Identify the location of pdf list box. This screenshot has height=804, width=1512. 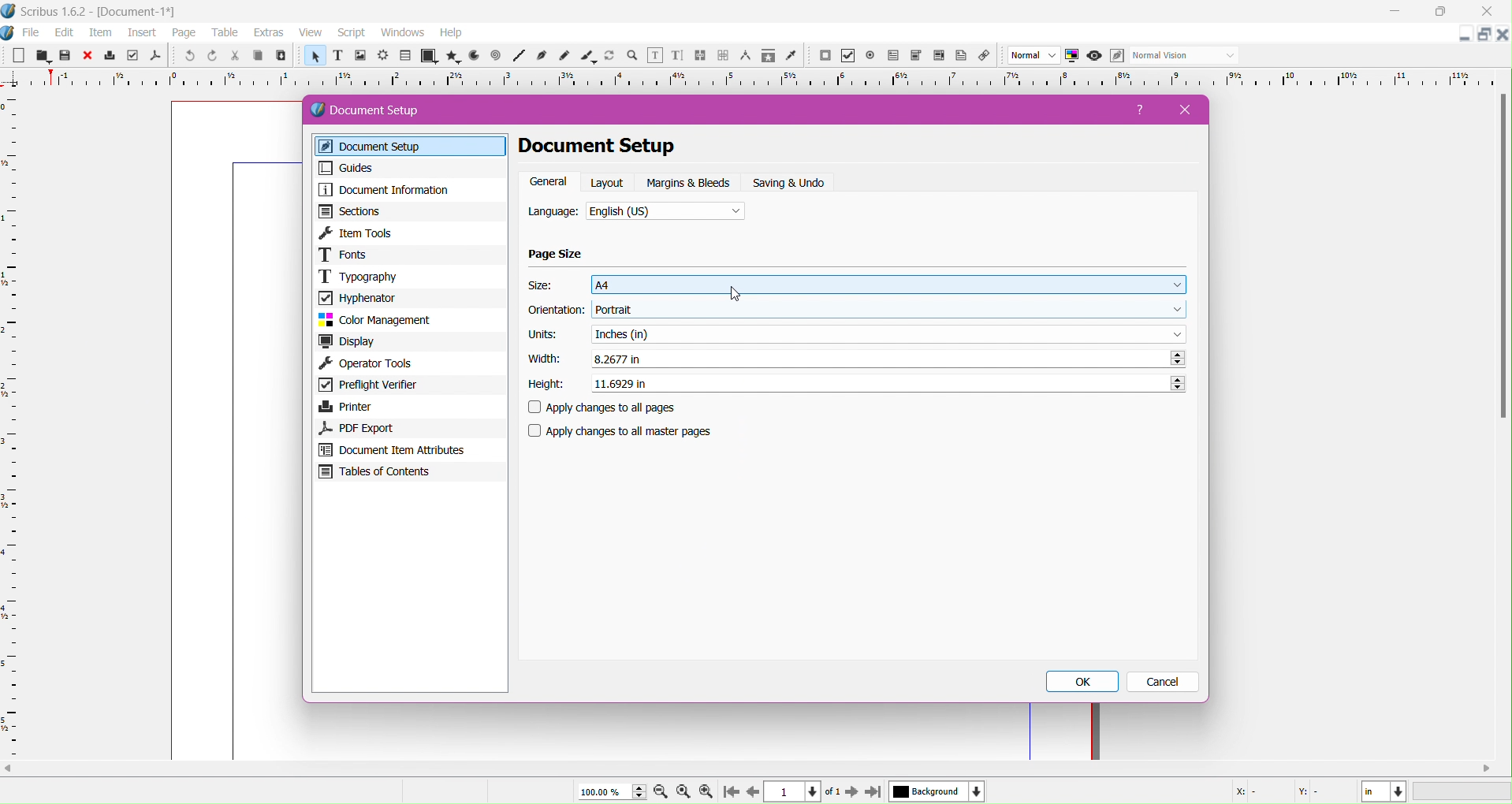
(916, 56).